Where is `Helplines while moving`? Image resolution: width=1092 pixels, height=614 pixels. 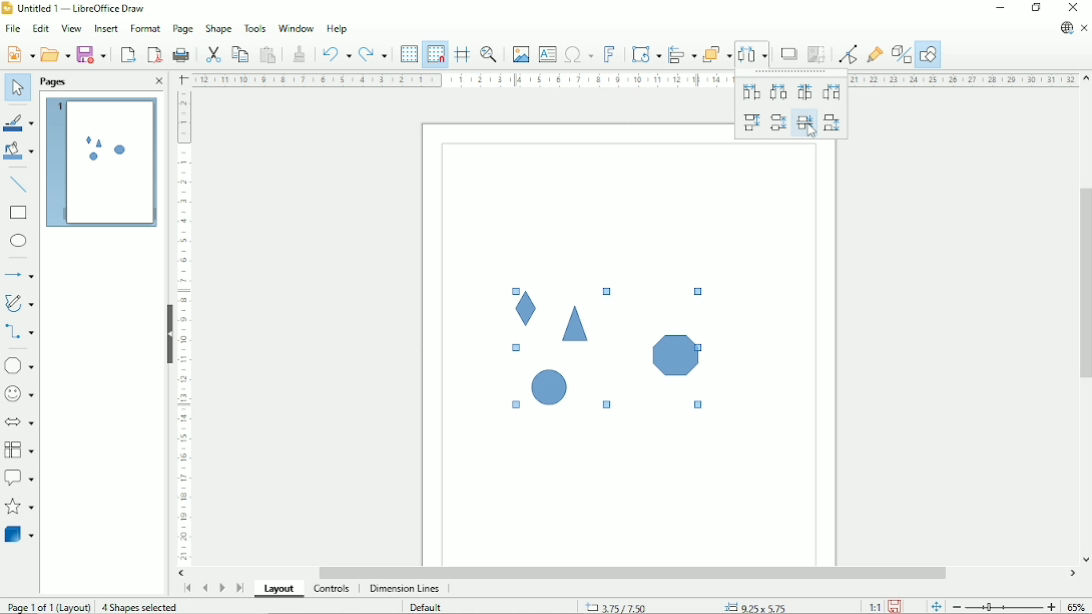
Helplines while moving is located at coordinates (462, 53).